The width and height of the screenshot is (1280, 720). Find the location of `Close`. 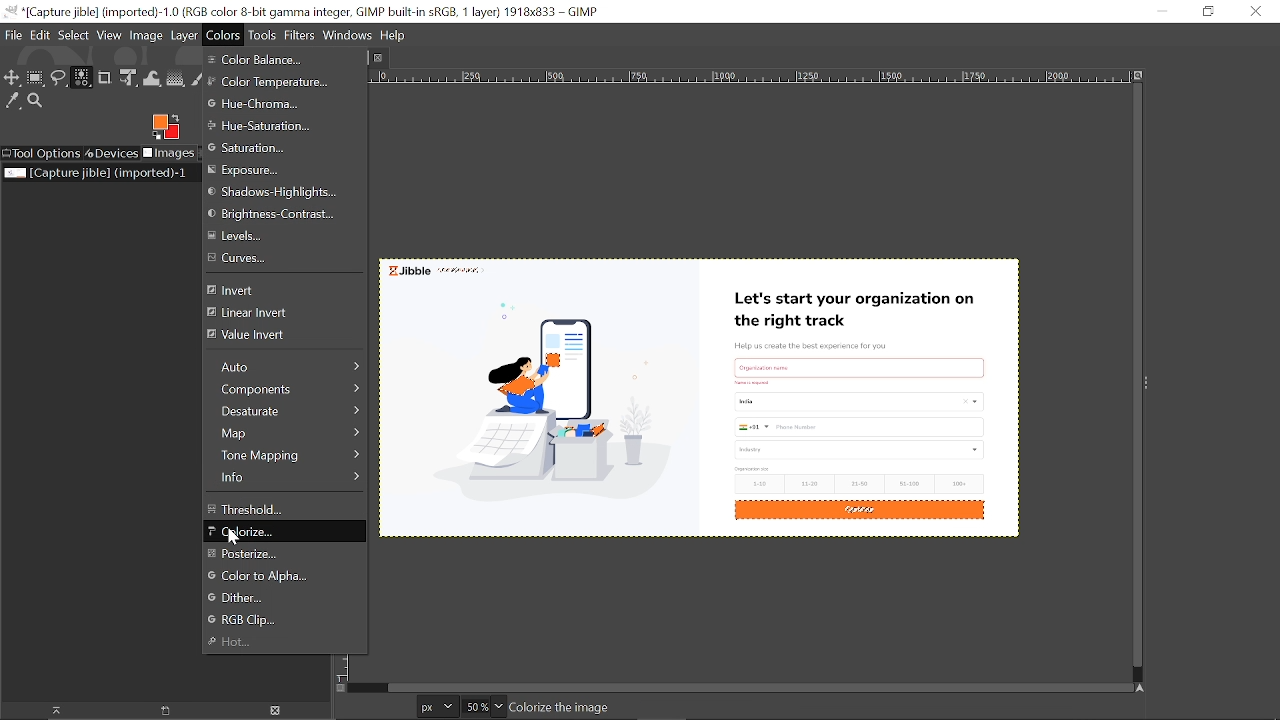

Close is located at coordinates (1255, 12).